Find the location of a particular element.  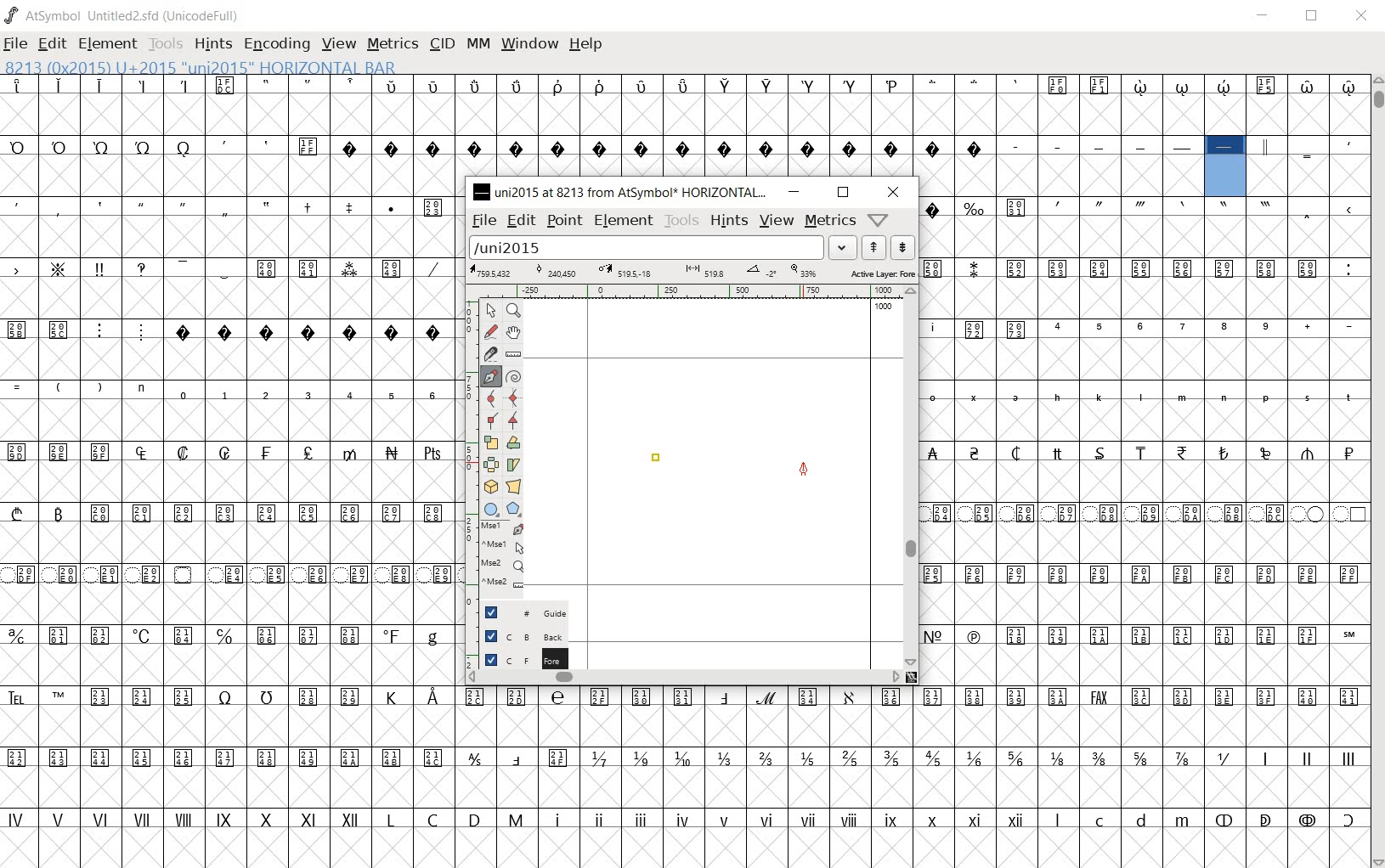

scale the selection is located at coordinates (490, 442).